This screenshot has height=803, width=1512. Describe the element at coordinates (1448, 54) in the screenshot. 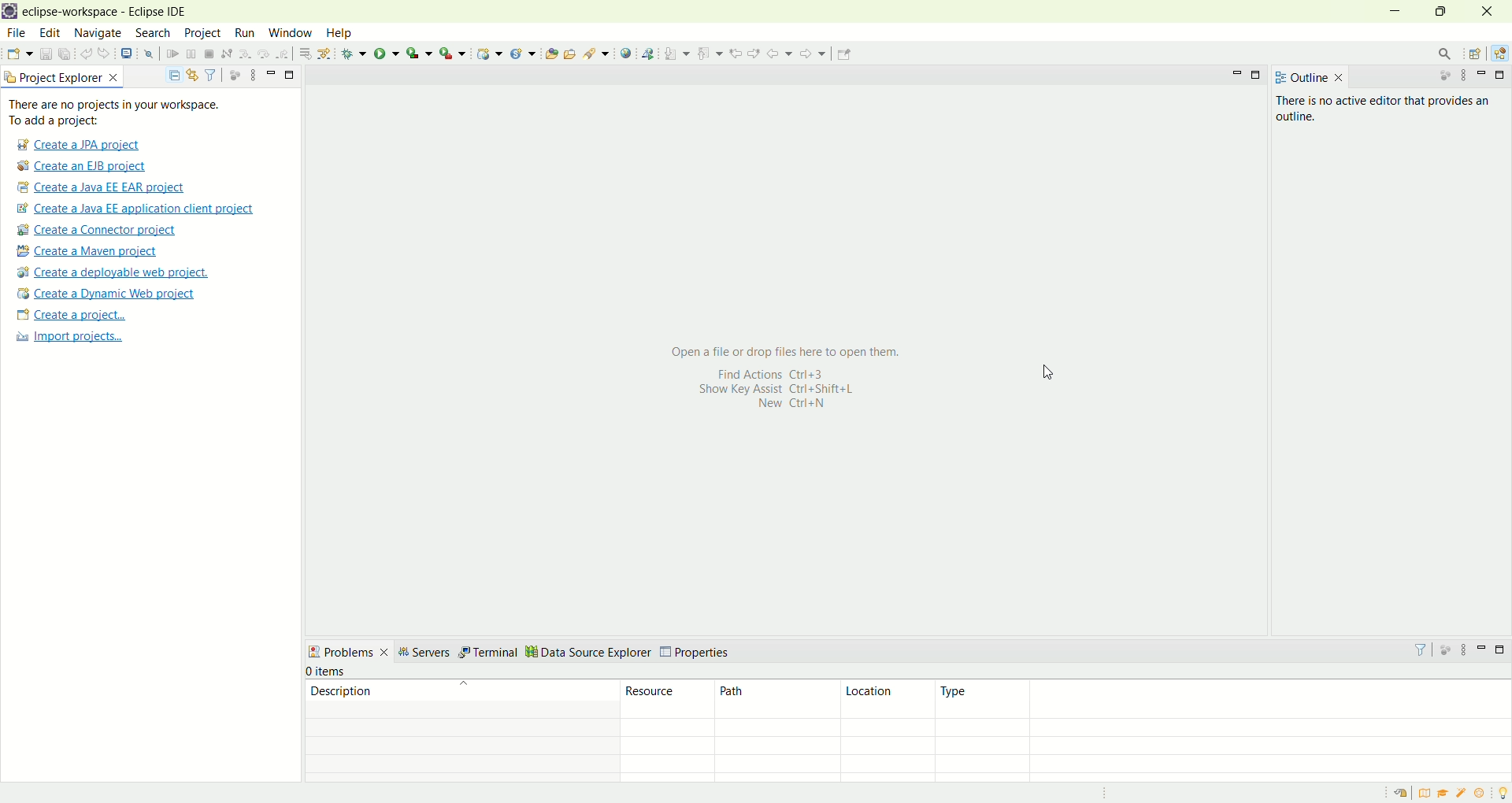

I see `search` at that location.